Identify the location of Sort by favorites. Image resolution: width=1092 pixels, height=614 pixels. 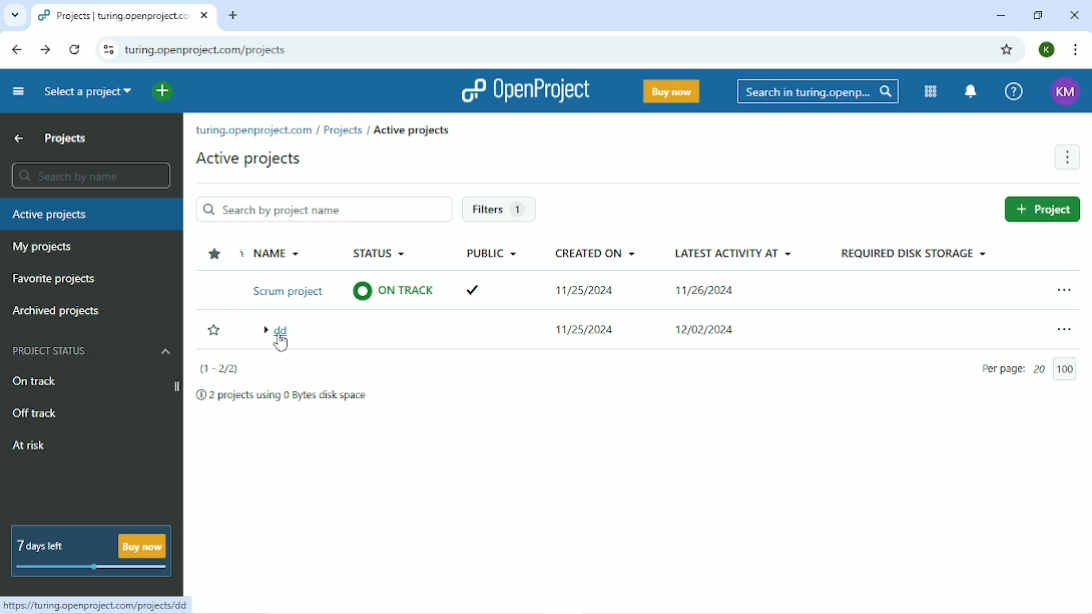
(213, 254).